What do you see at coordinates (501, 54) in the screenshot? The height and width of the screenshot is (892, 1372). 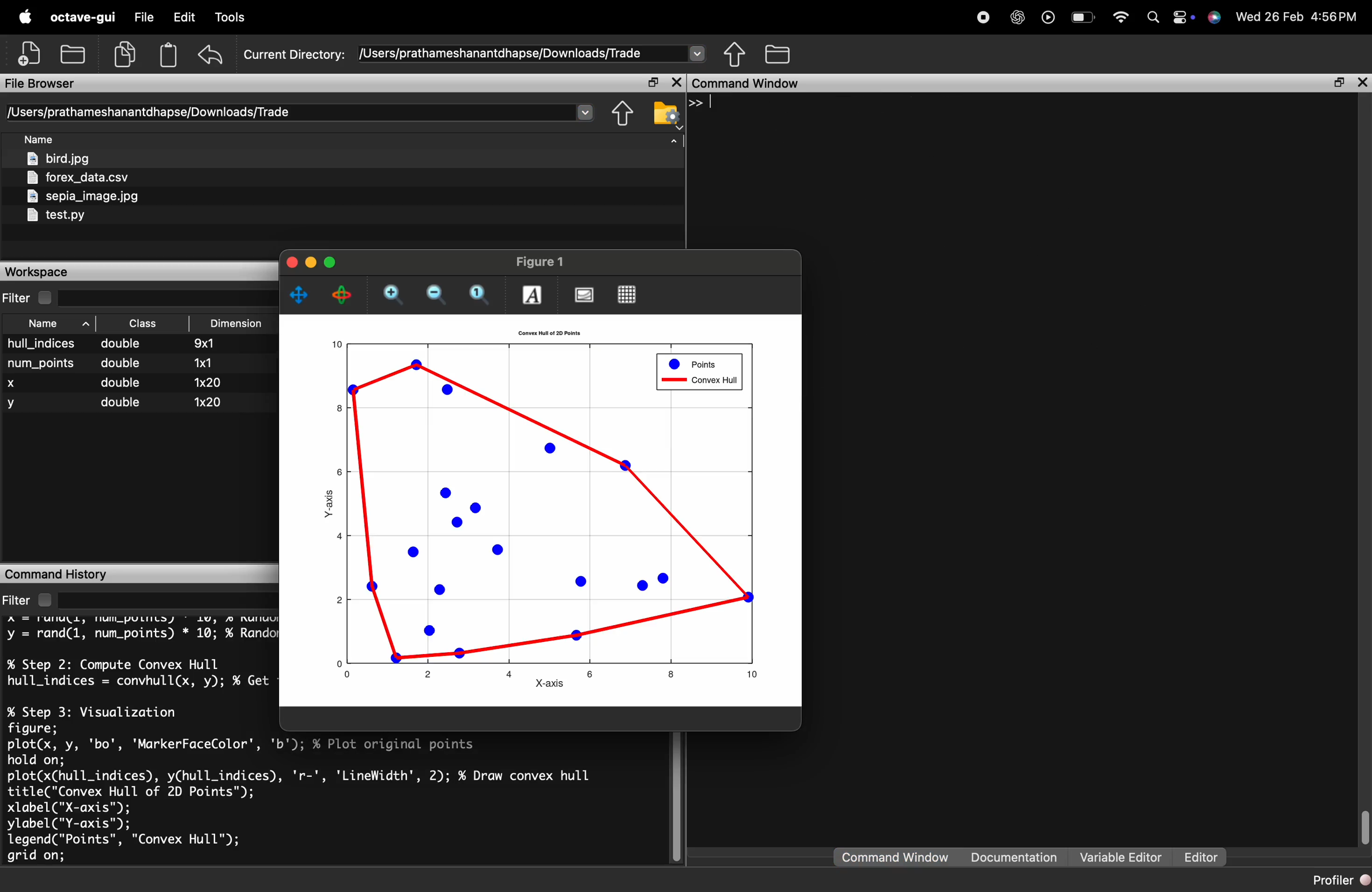 I see `/Users/prathameshanantdhapse/Downloads/Trade` at bounding box center [501, 54].